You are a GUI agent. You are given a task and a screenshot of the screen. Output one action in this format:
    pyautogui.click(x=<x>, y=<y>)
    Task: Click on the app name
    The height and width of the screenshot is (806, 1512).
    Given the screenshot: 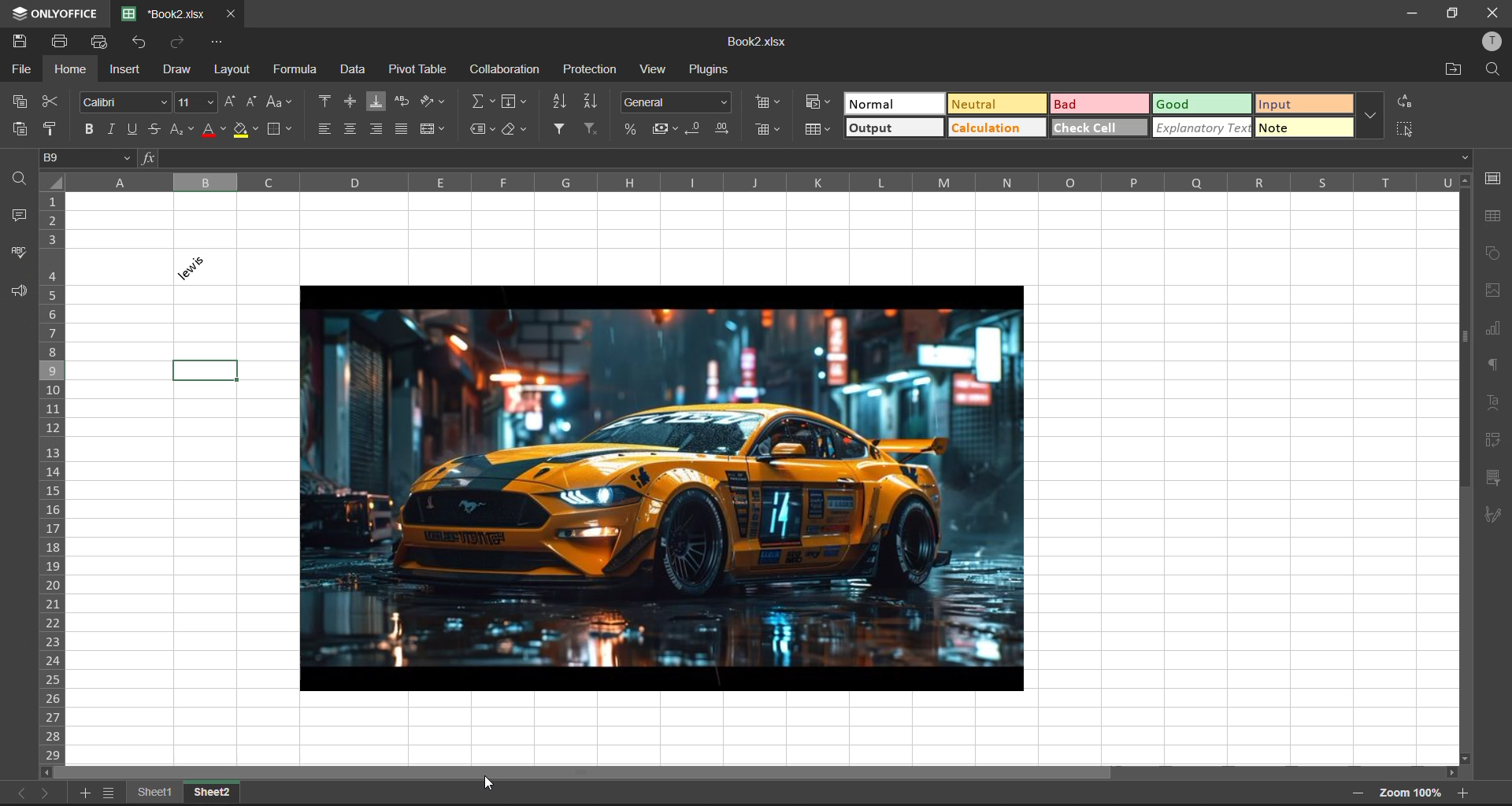 What is the action you would take?
    pyautogui.click(x=52, y=11)
    